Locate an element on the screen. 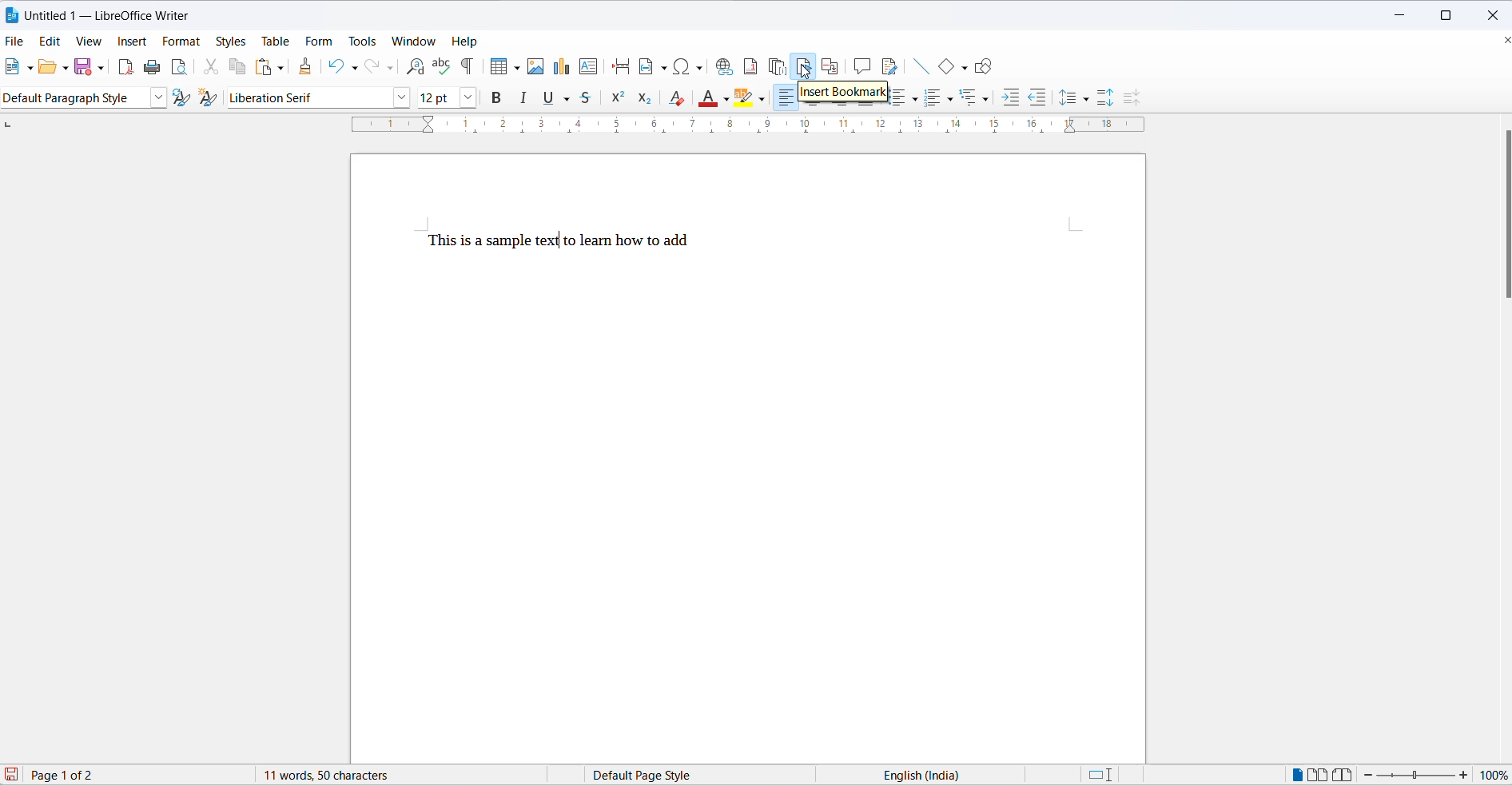 This screenshot has width=1512, height=786. basic shapes is located at coordinates (944, 67).